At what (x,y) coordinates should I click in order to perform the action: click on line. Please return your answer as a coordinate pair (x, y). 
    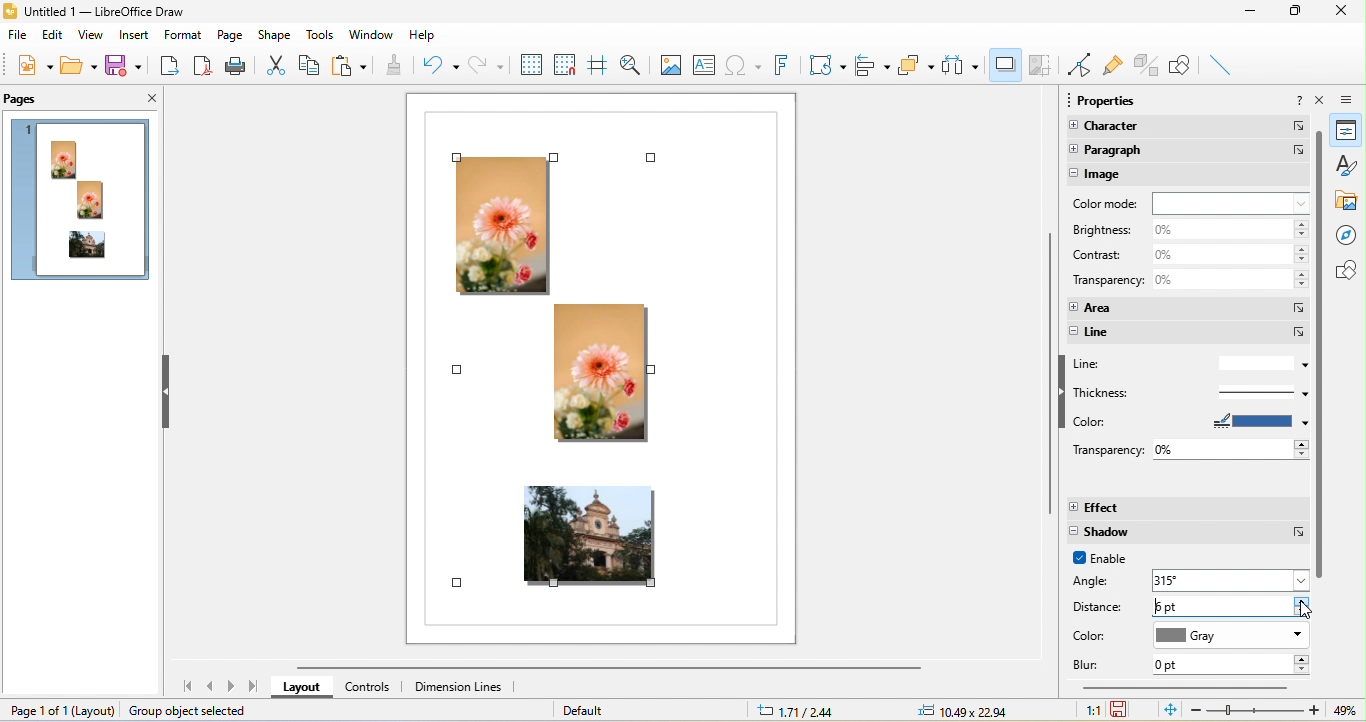
    Looking at the image, I should click on (1189, 364).